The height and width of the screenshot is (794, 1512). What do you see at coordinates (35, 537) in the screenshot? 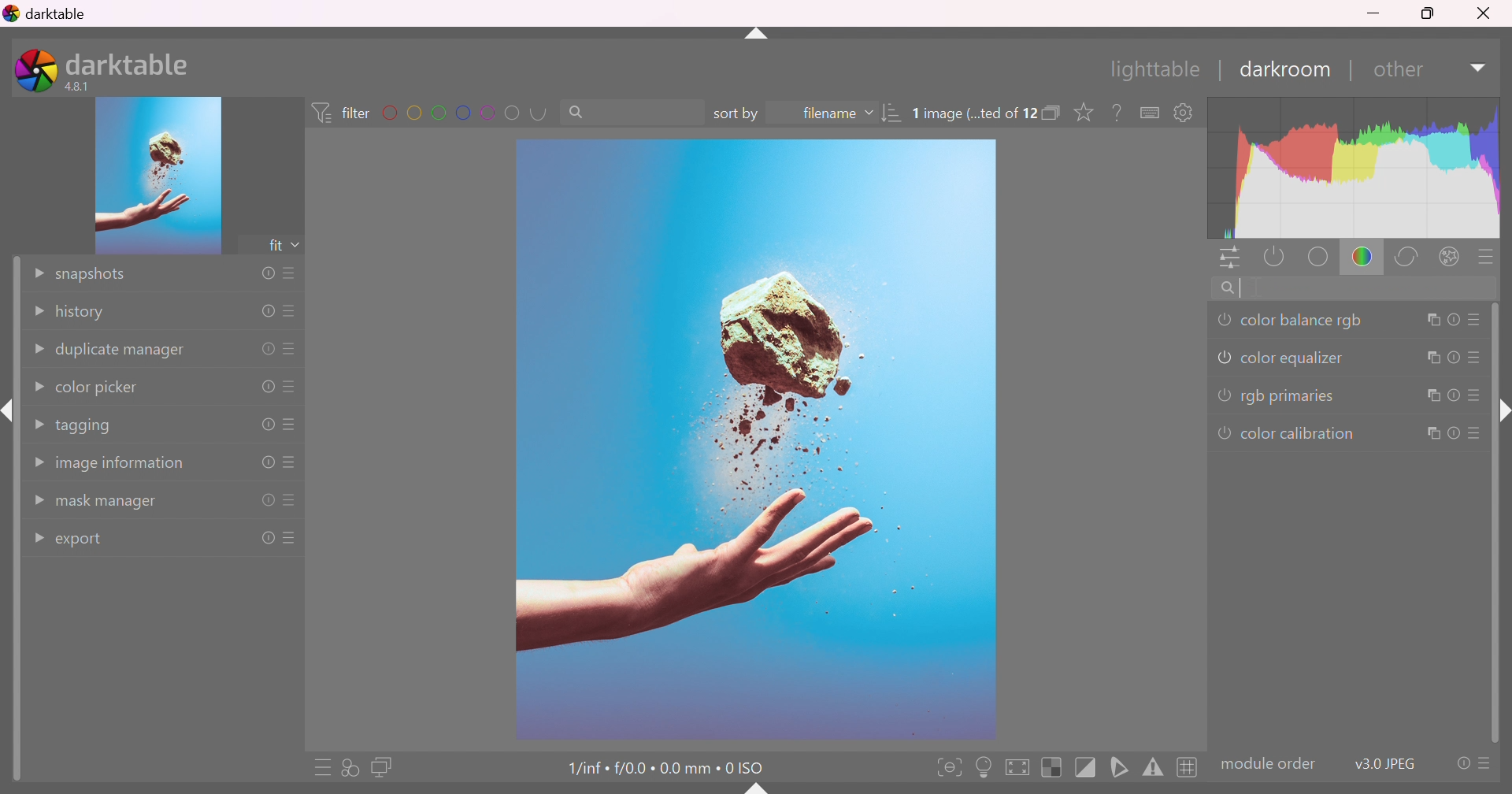
I see `Drop Down` at bounding box center [35, 537].